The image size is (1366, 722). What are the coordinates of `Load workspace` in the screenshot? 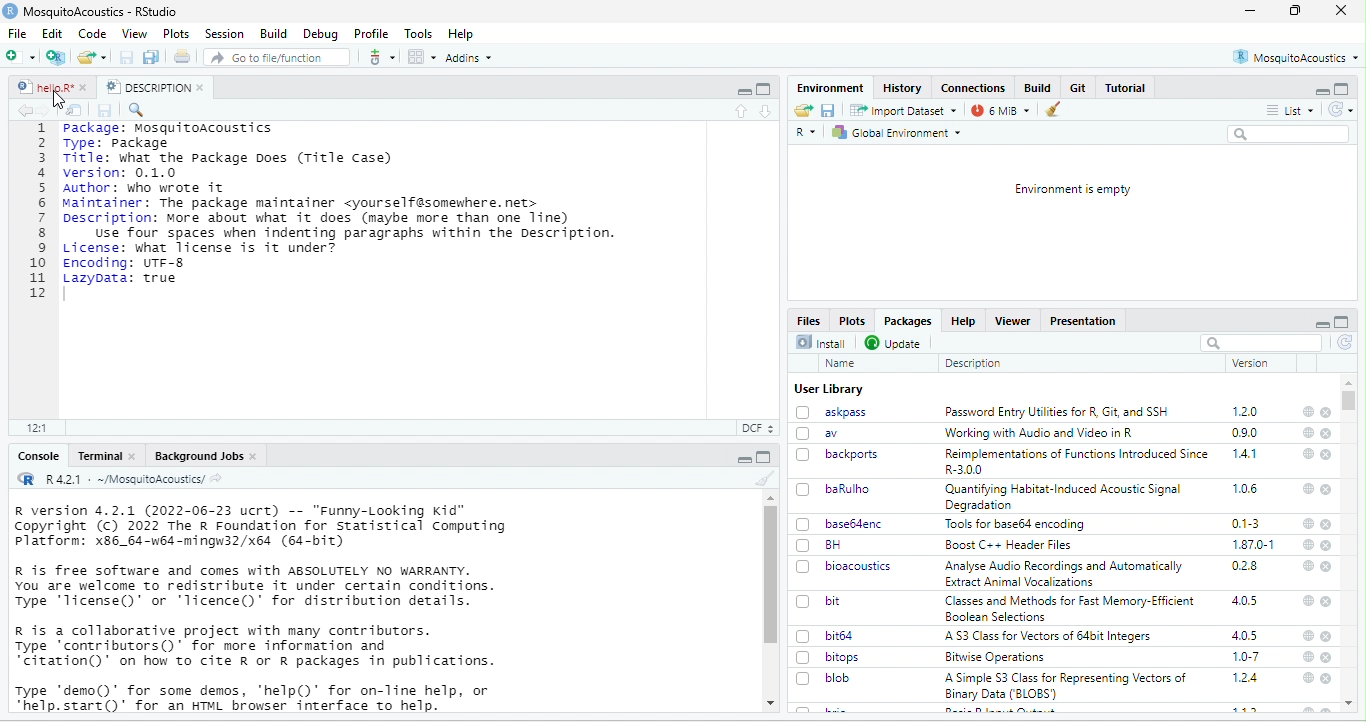 It's located at (803, 110).